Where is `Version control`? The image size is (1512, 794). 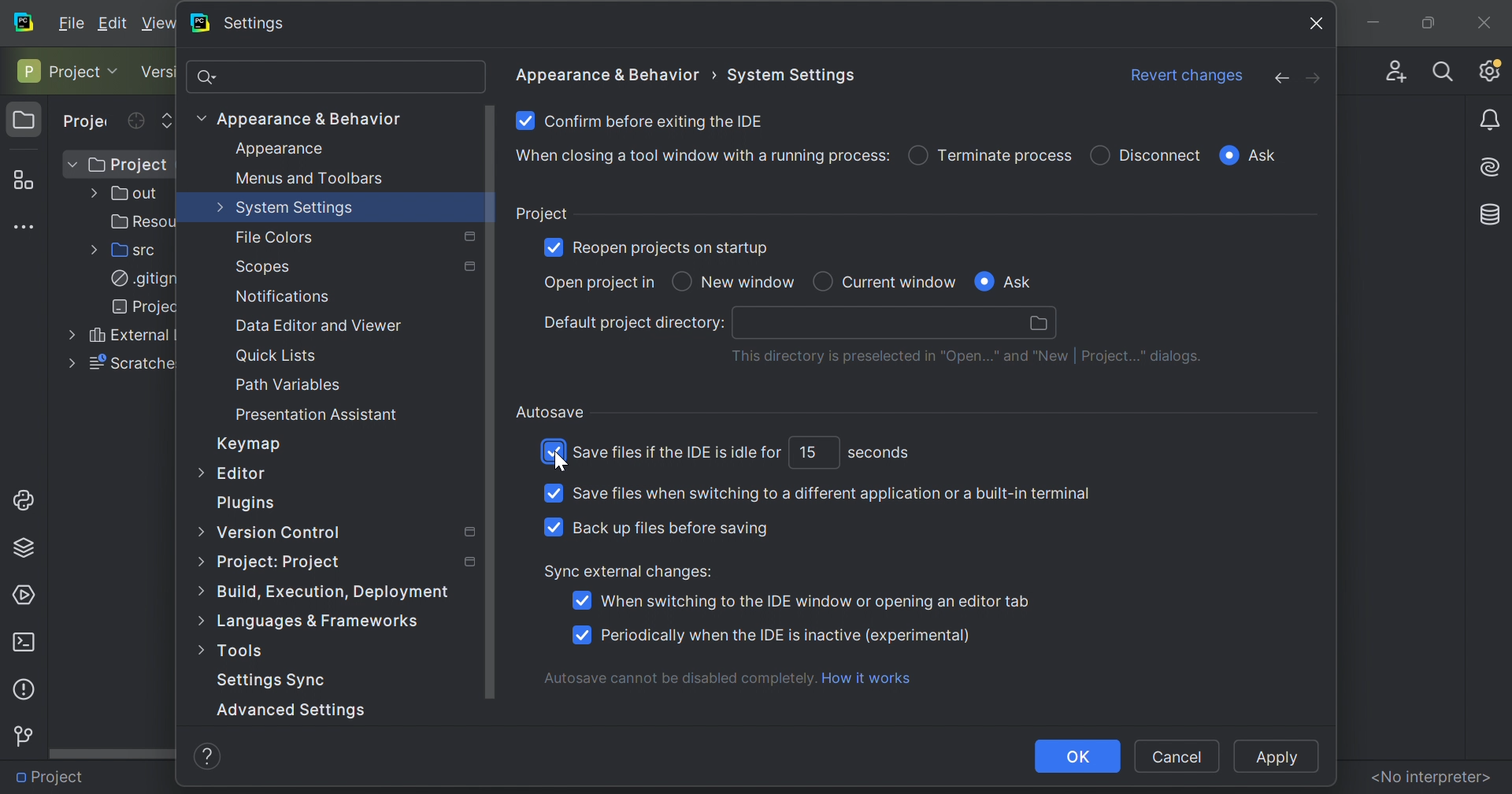
Version control is located at coordinates (158, 72).